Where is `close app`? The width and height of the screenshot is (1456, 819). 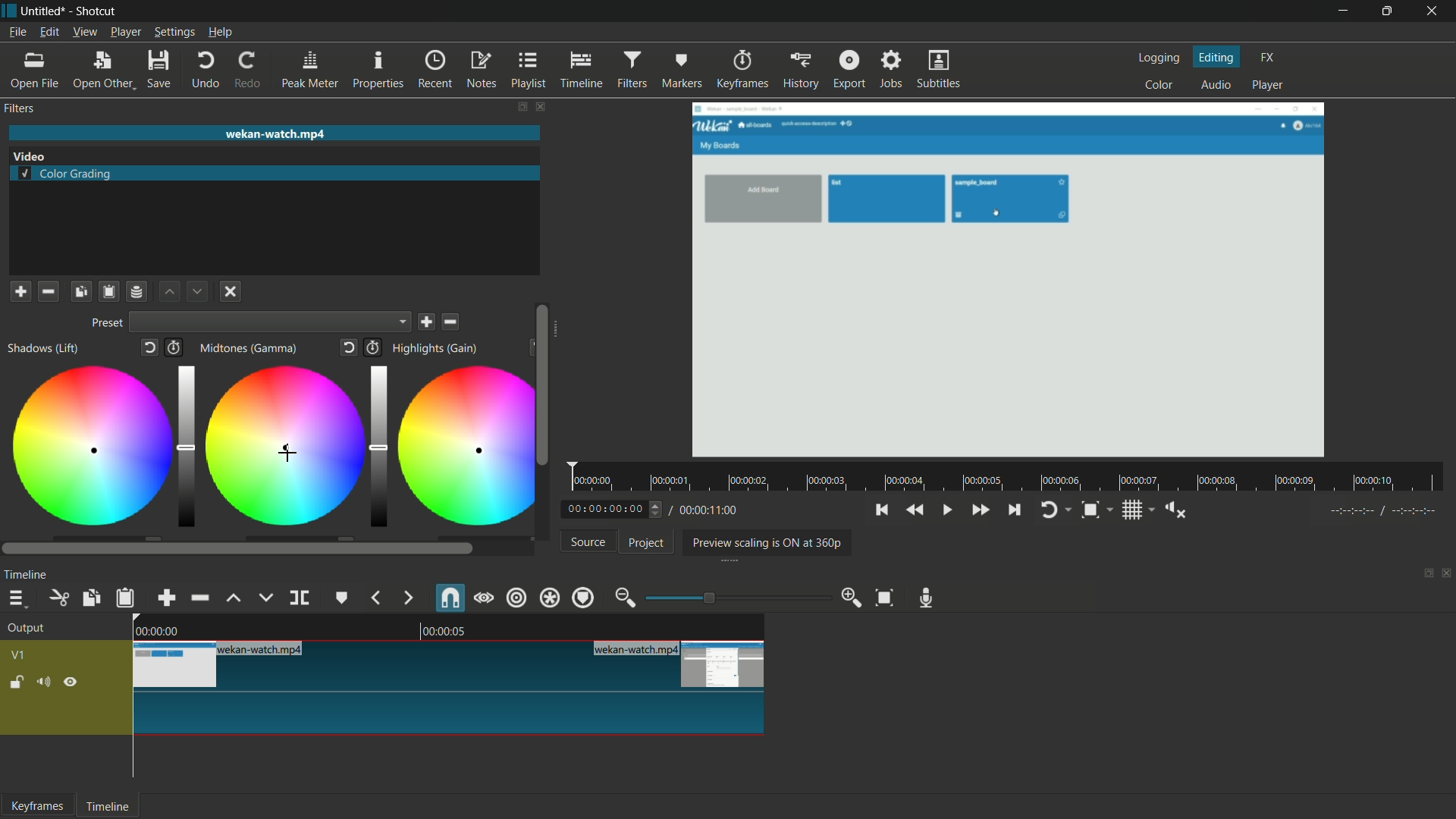 close app is located at coordinates (1435, 11).